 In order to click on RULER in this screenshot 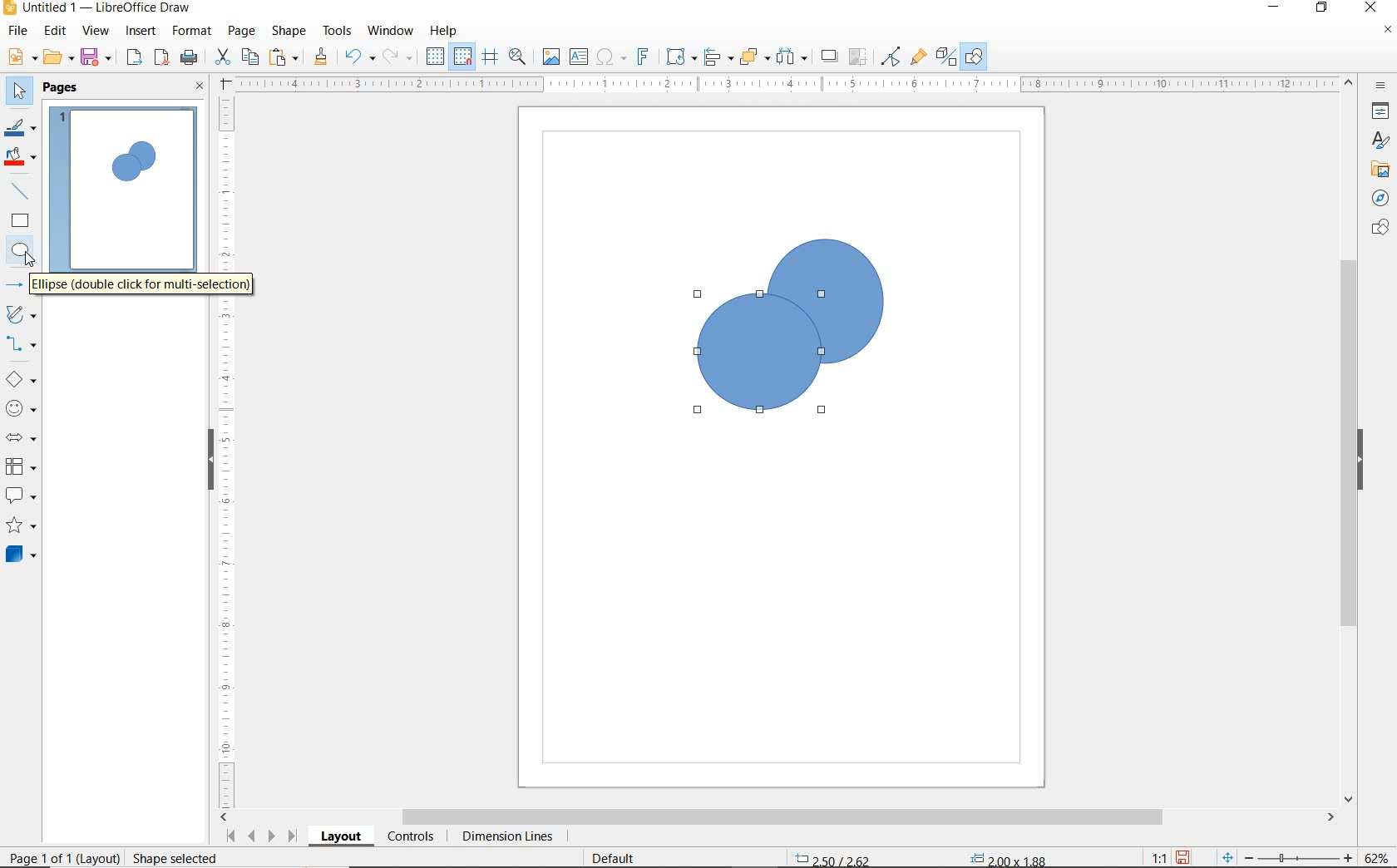, I will do `click(788, 85)`.